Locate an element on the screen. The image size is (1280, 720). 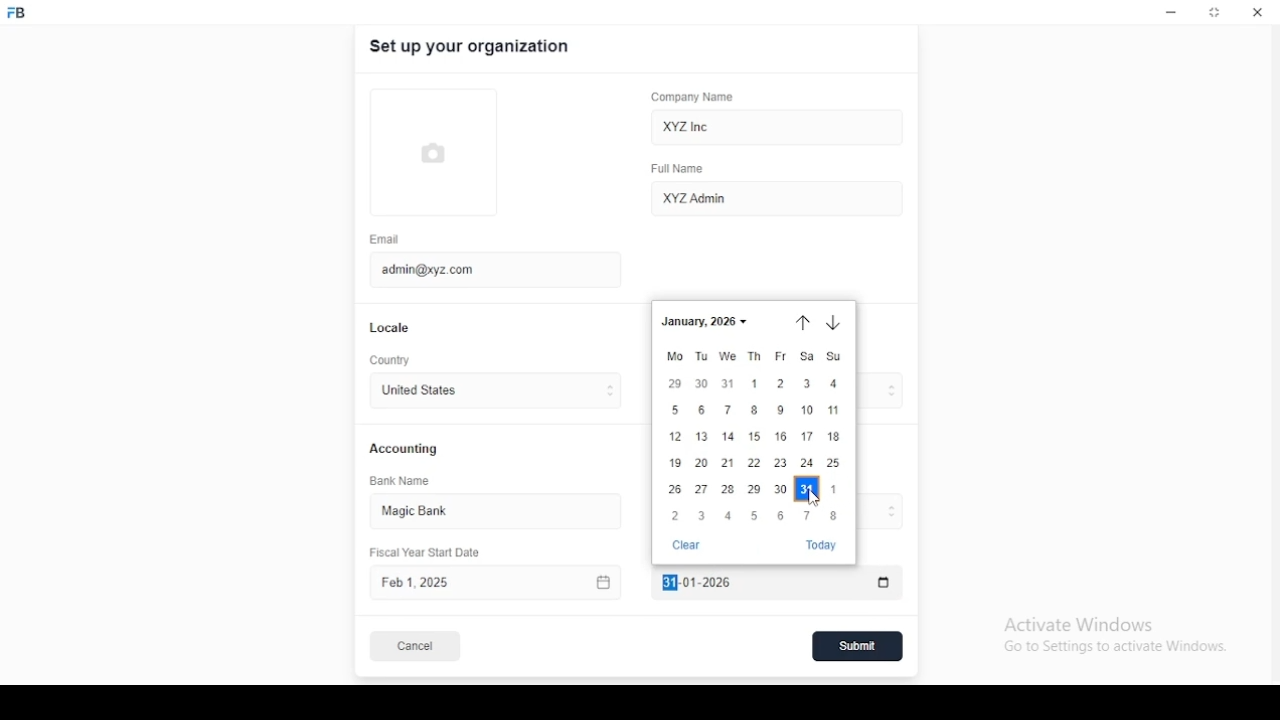
th is located at coordinates (753, 357).